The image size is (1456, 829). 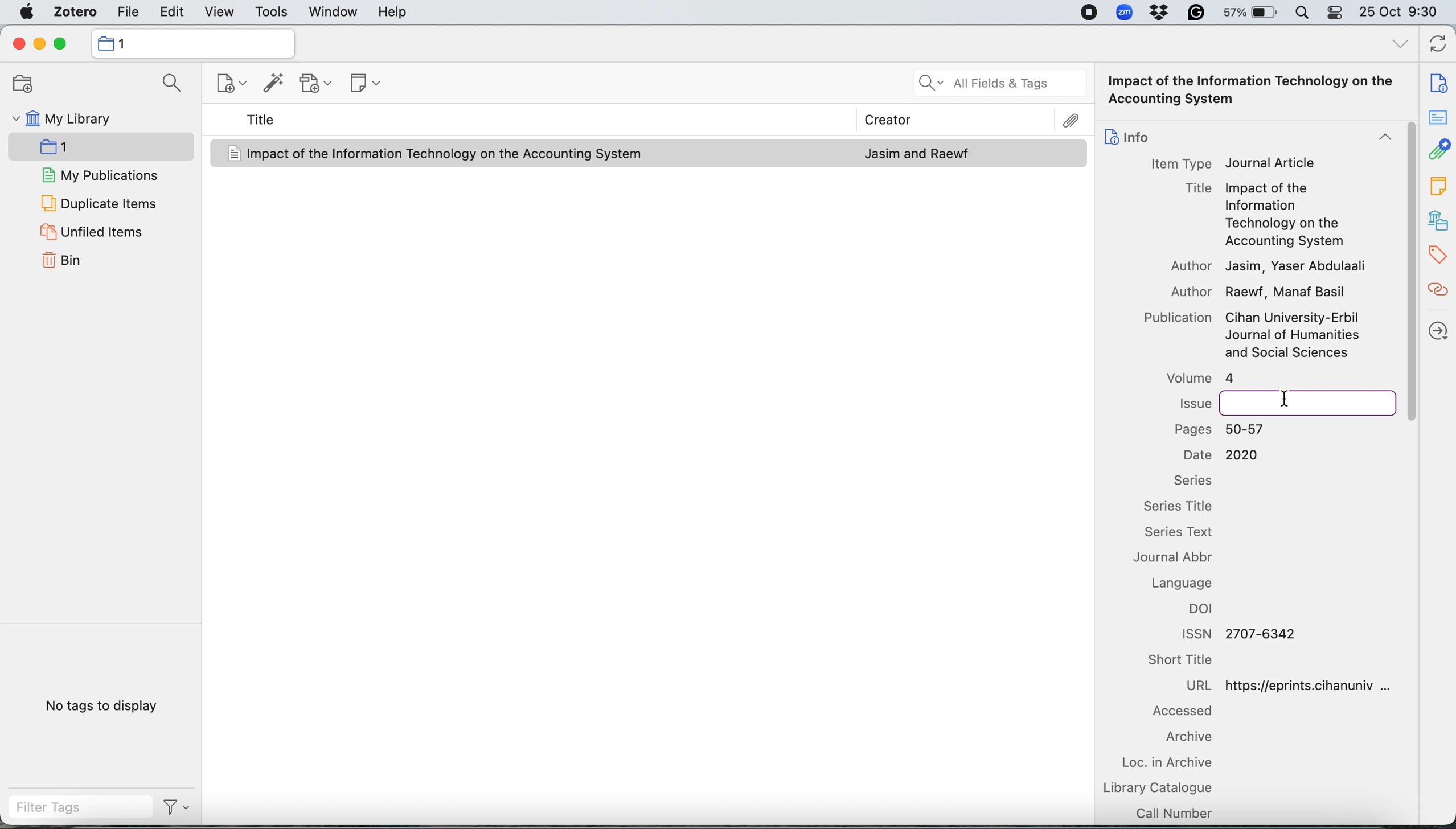 I want to click on info, so click(x=1127, y=134).